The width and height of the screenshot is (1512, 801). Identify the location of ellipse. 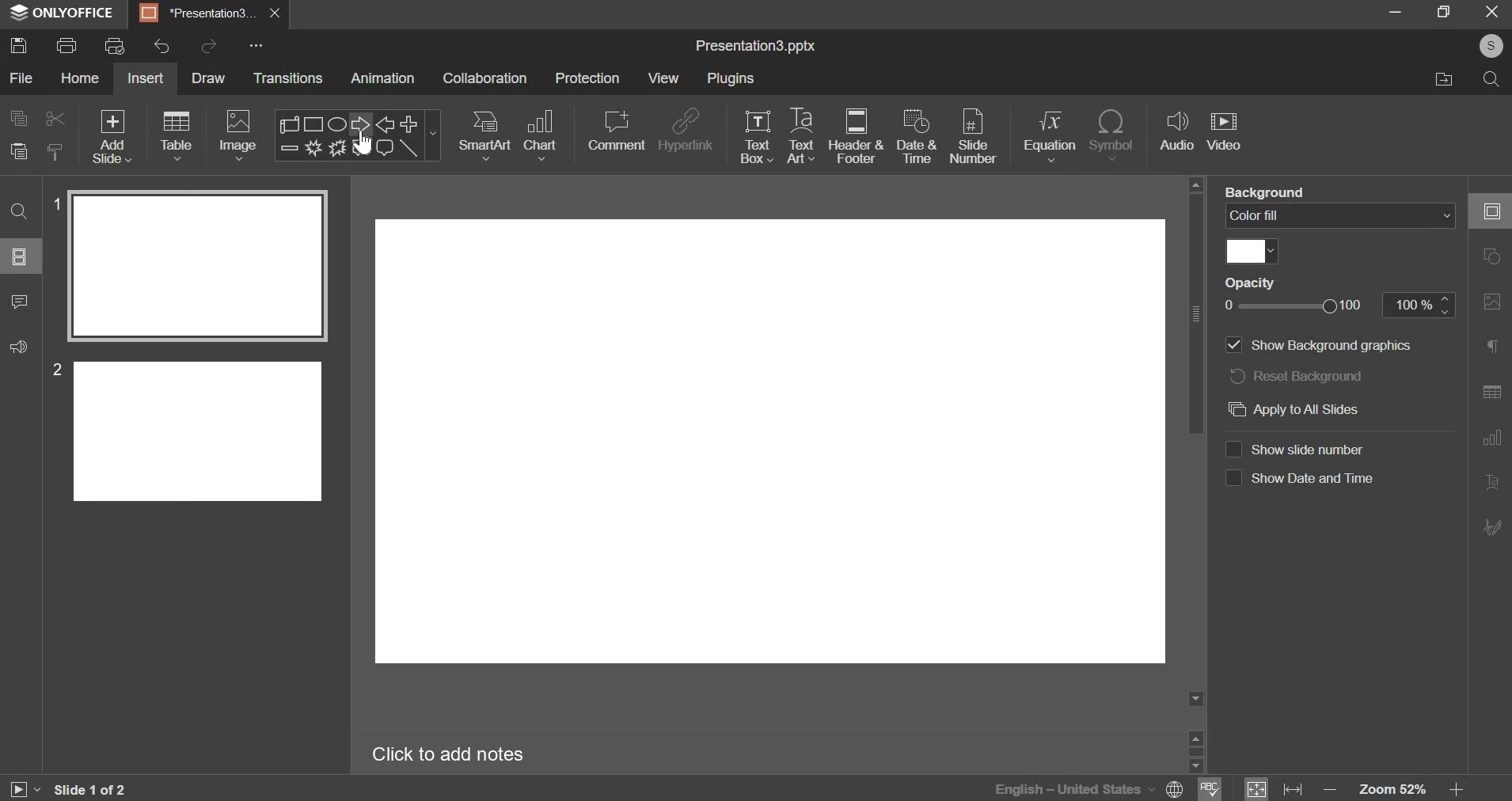
(336, 123).